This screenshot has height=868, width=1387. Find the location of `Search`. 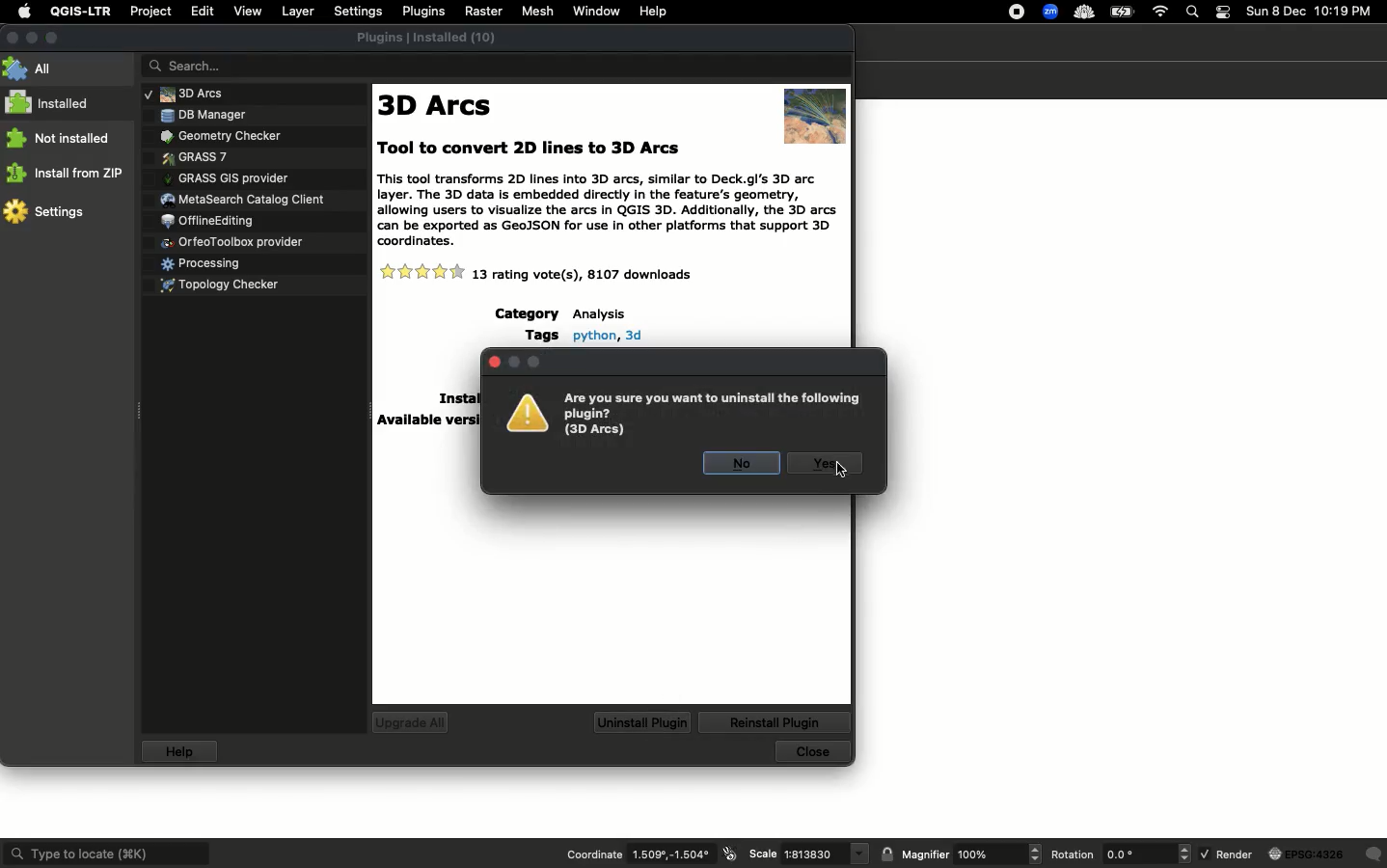

Search is located at coordinates (500, 65).